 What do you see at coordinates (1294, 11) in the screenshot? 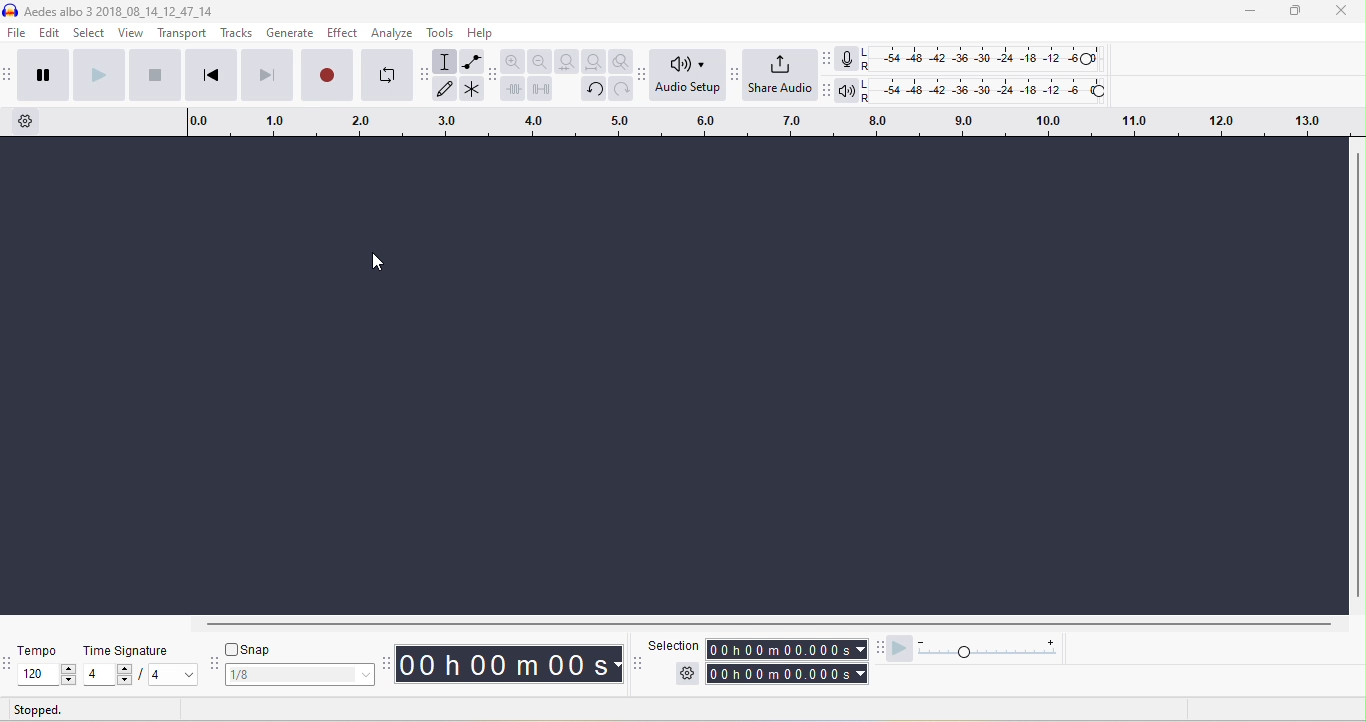
I see `maximize` at bounding box center [1294, 11].